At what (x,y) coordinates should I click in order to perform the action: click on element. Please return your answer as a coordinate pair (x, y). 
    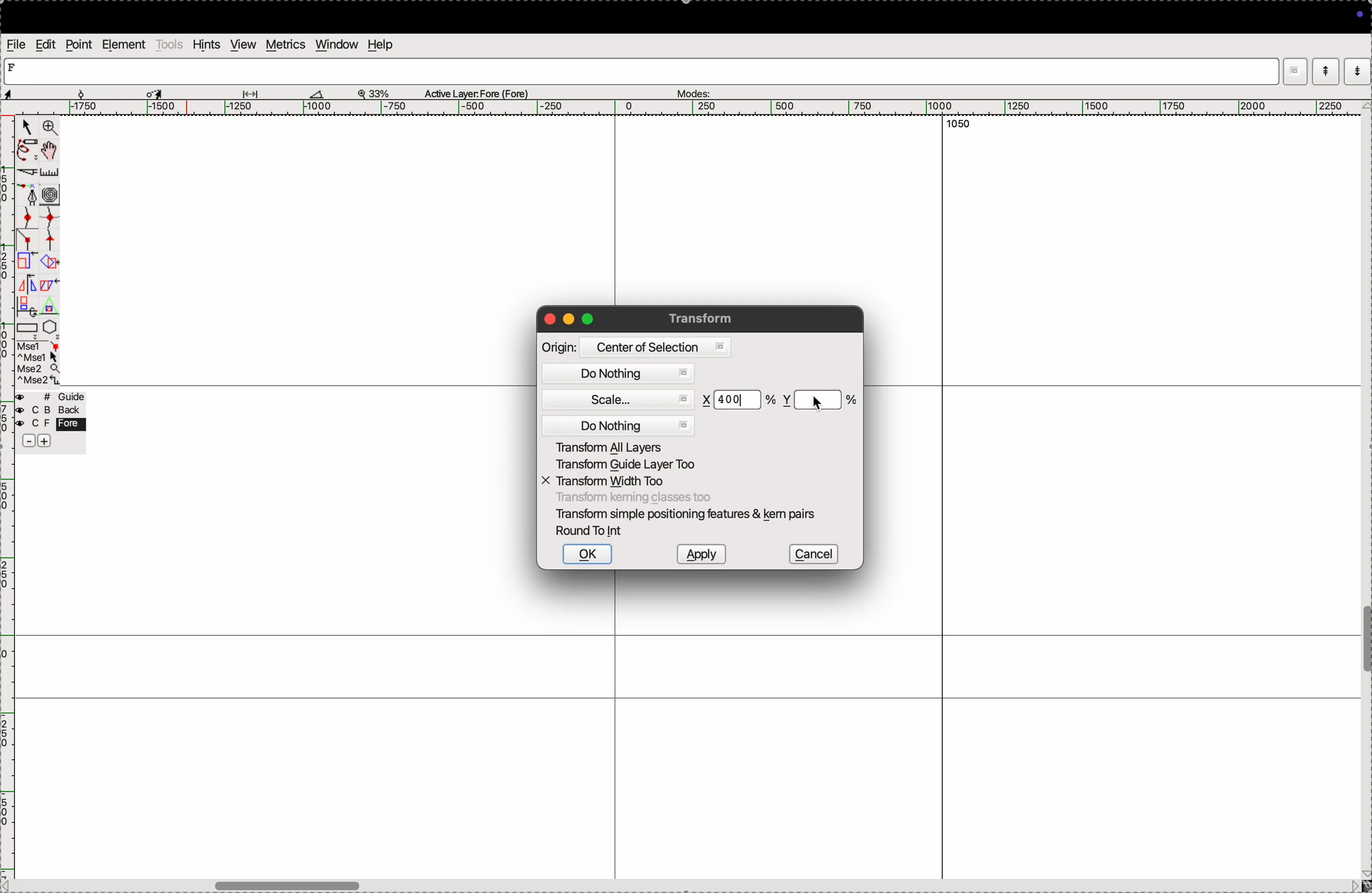
    Looking at the image, I should click on (123, 44).